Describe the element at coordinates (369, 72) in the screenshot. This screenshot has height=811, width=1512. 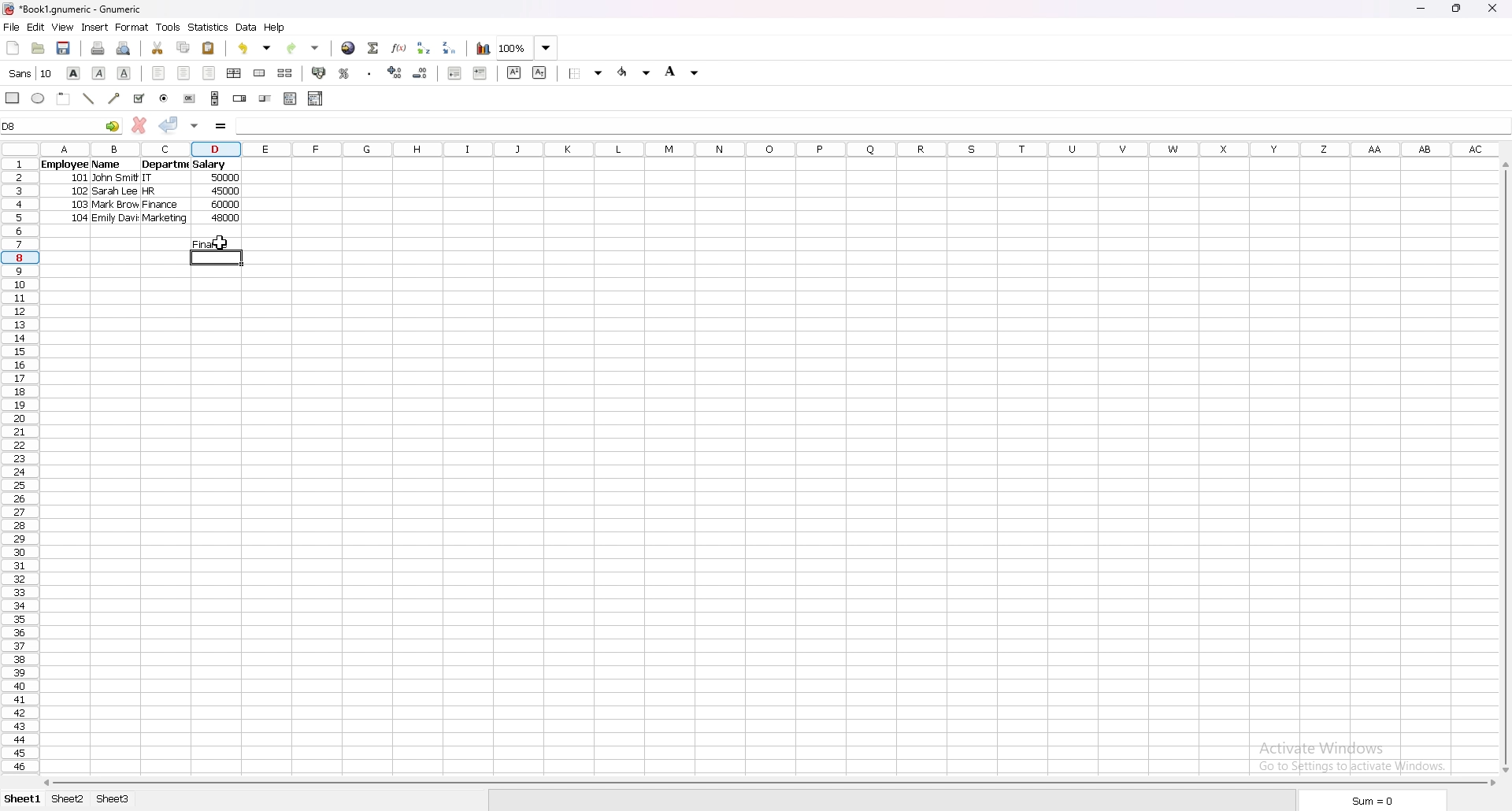
I see `thousands separator` at that location.